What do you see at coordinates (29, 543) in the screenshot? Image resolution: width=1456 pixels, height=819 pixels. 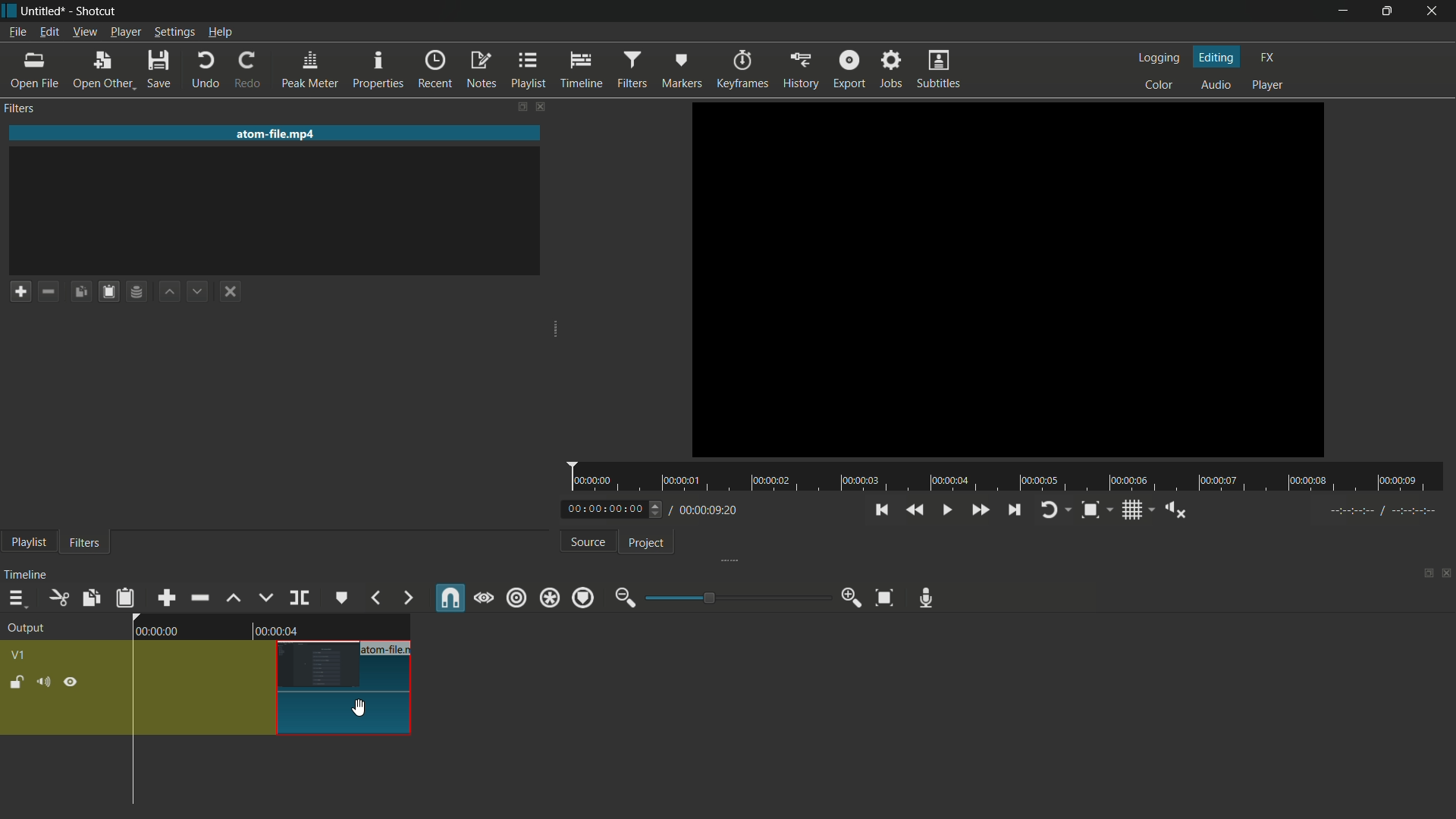 I see `playlist` at bounding box center [29, 543].